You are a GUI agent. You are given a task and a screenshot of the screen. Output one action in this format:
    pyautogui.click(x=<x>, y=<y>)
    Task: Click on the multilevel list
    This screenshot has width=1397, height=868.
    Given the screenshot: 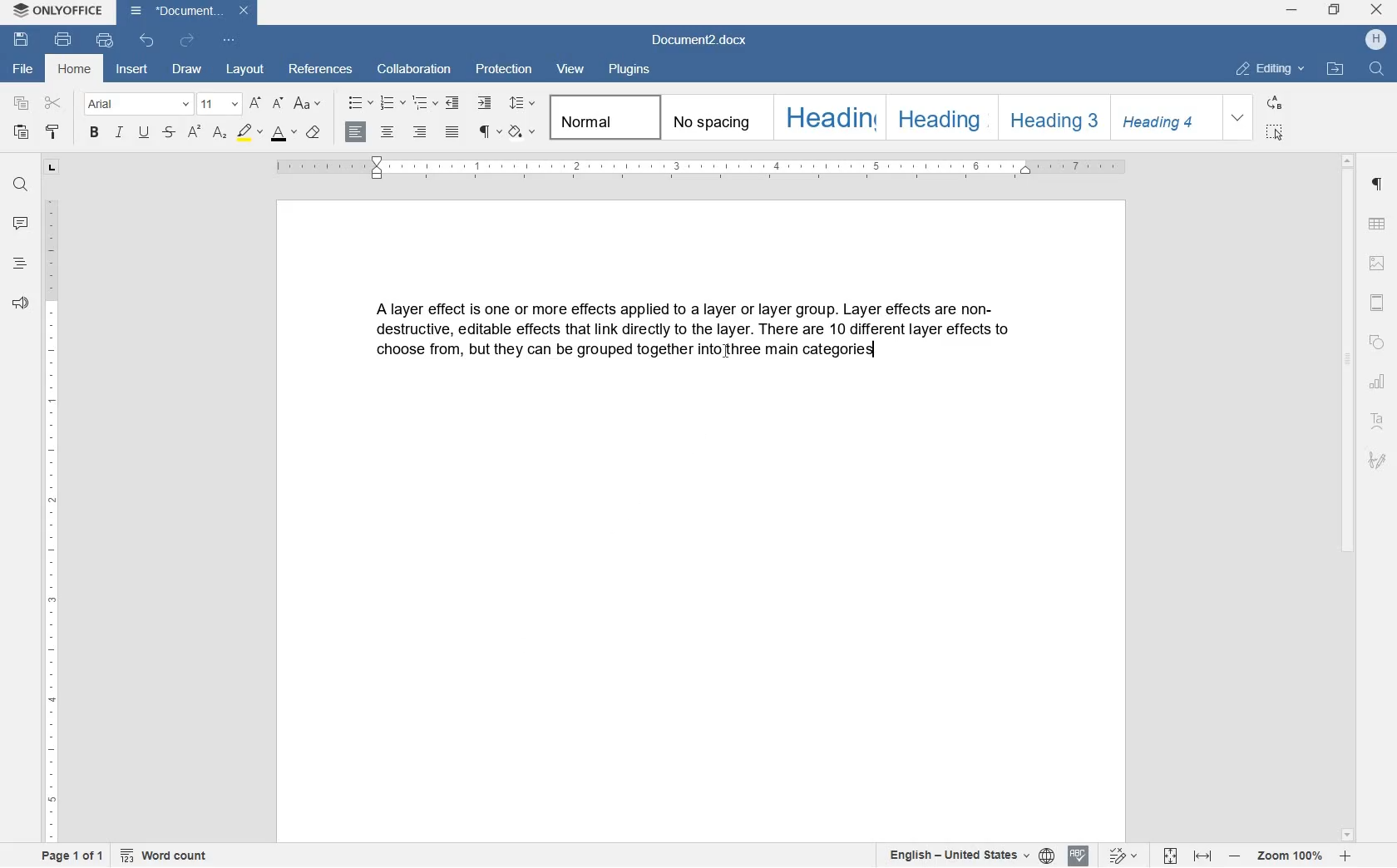 What is the action you would take?
    pyautogui.click(x=423, y=103)
    